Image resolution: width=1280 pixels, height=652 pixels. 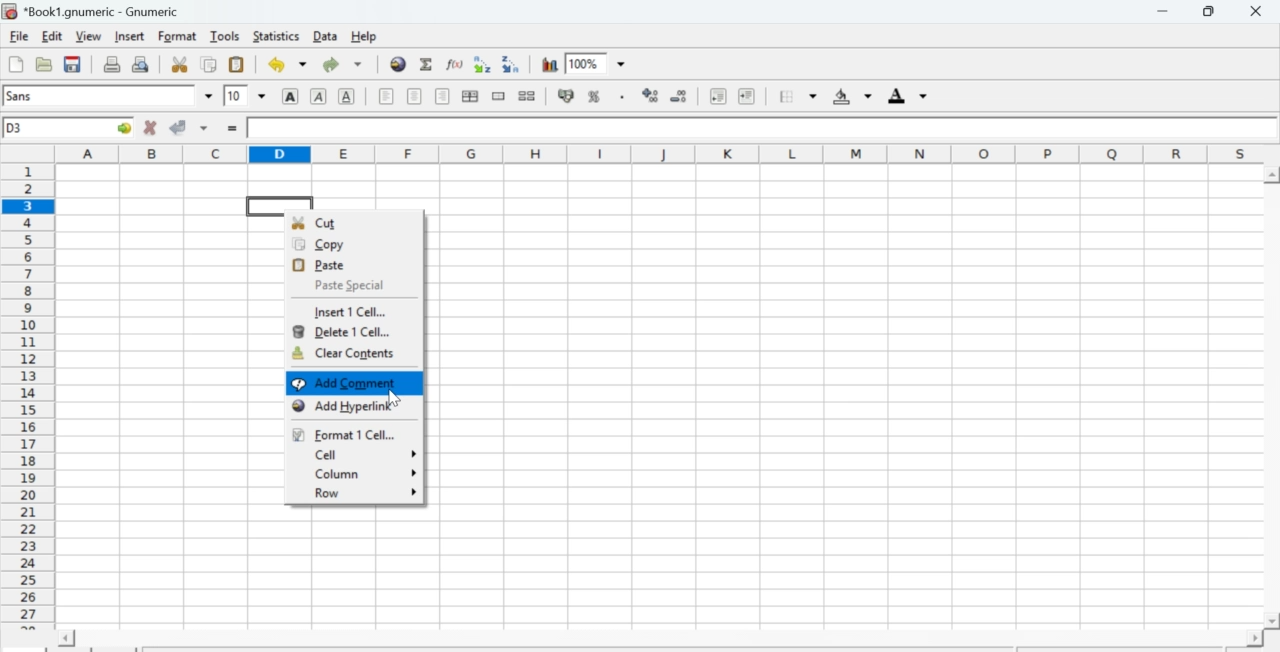 What do you see at coordinates (227, 37) in the screenshot?
I see `Tools` at bounding box center [227, 37].